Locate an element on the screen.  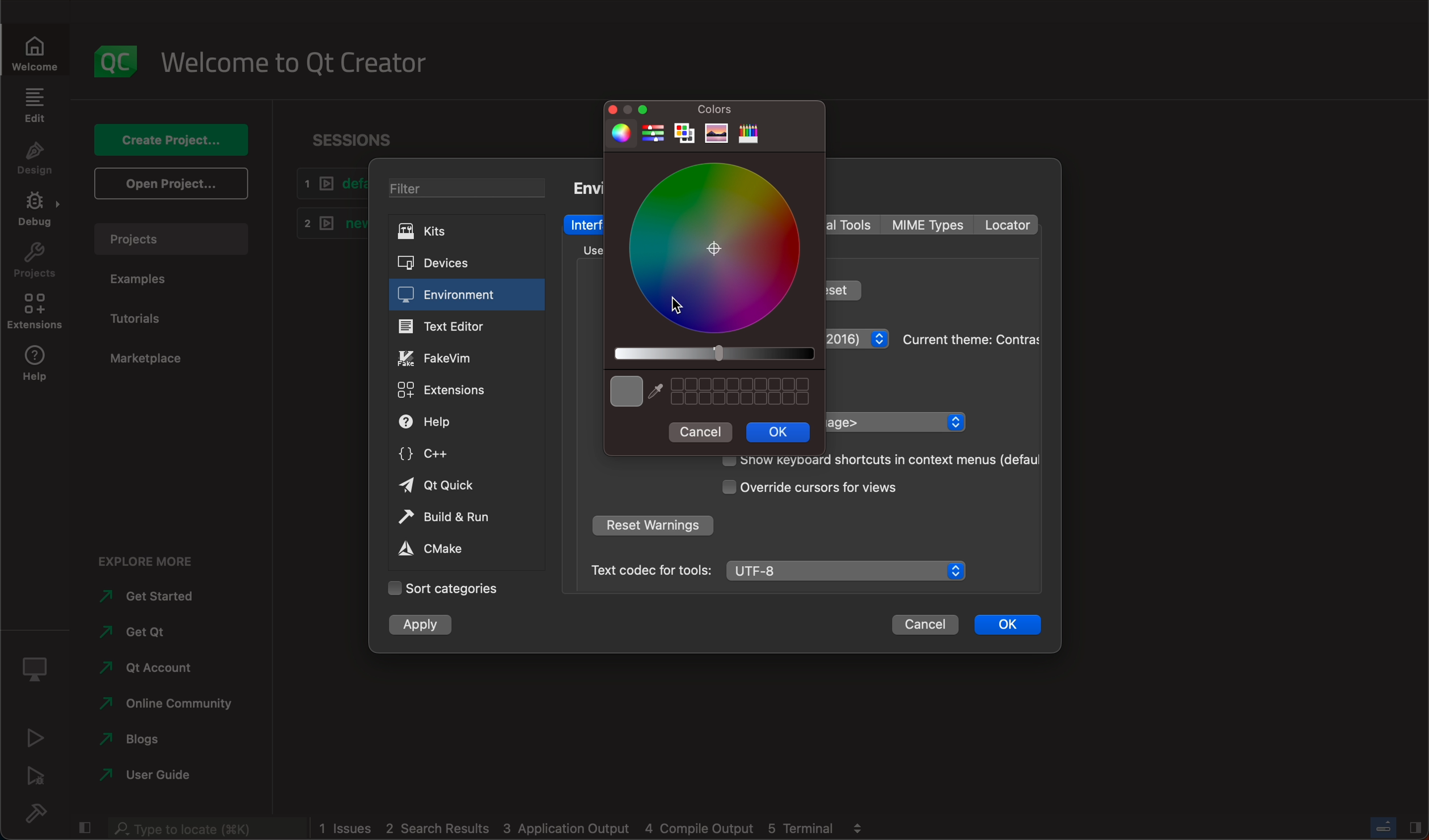
qt is located at coordinates (145, 667).